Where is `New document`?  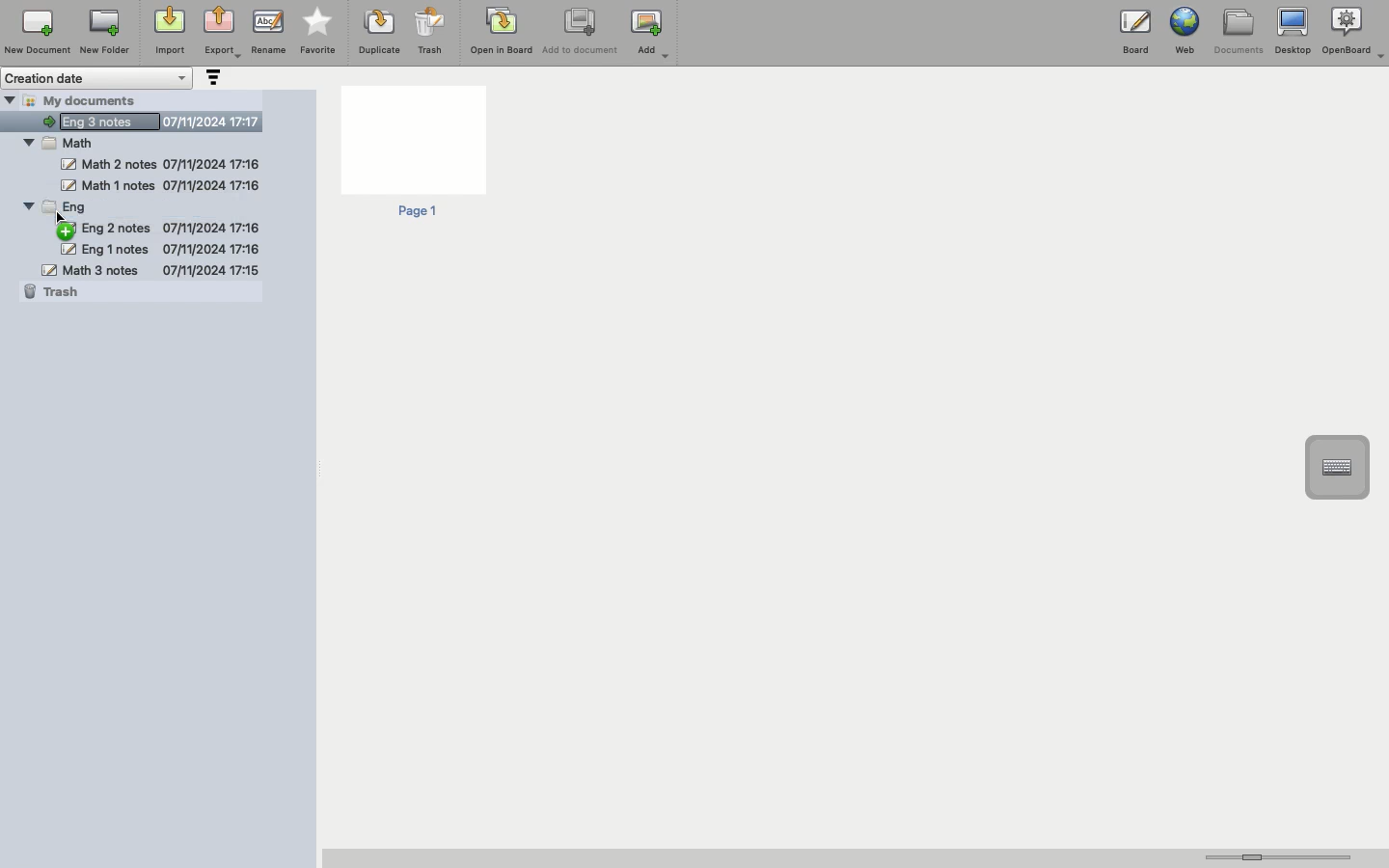
New document is located at coordinates (38, 32).